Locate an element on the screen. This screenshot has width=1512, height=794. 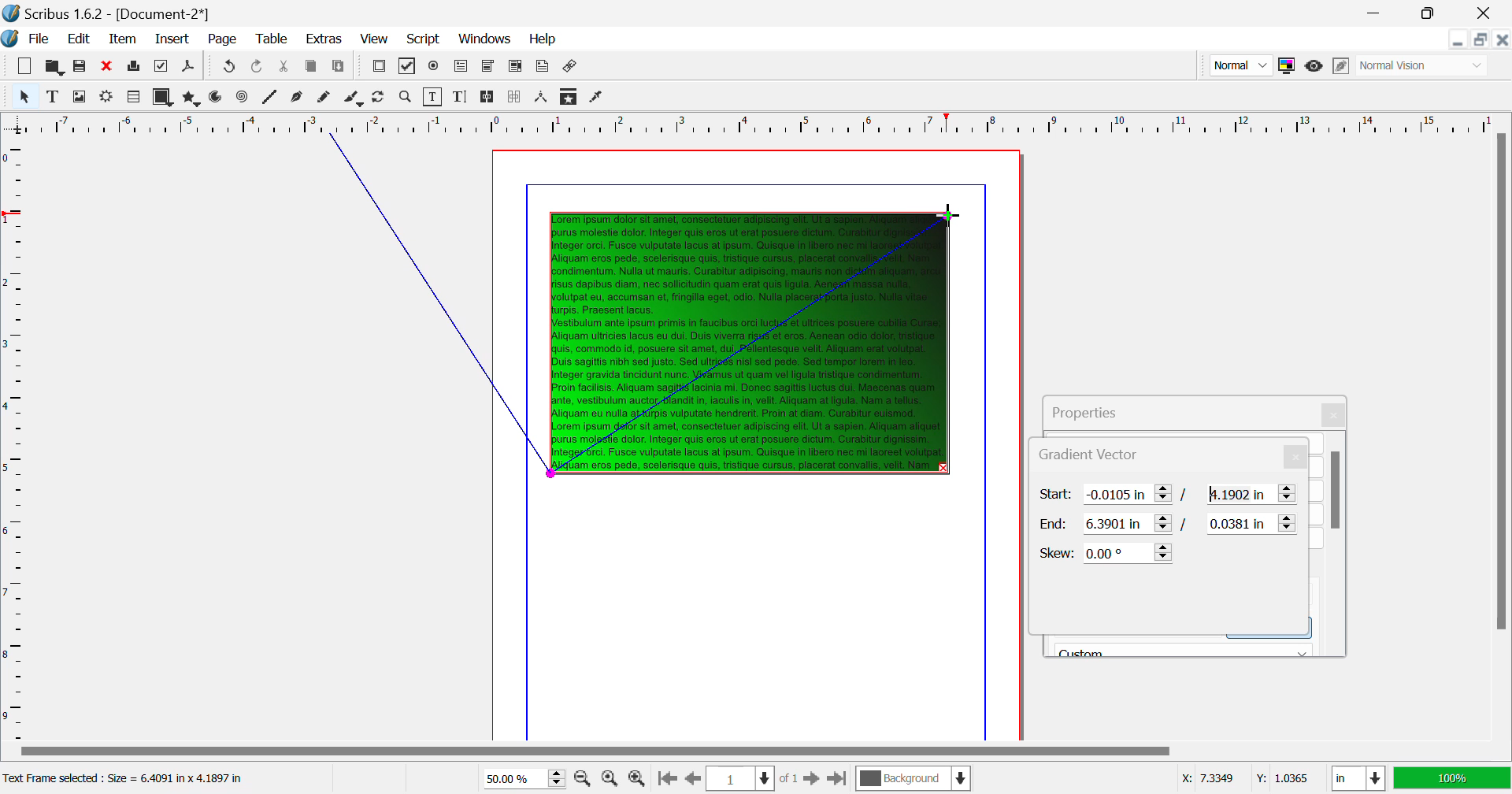
Horizontal Page Margins is located at coordinates (15, 439).